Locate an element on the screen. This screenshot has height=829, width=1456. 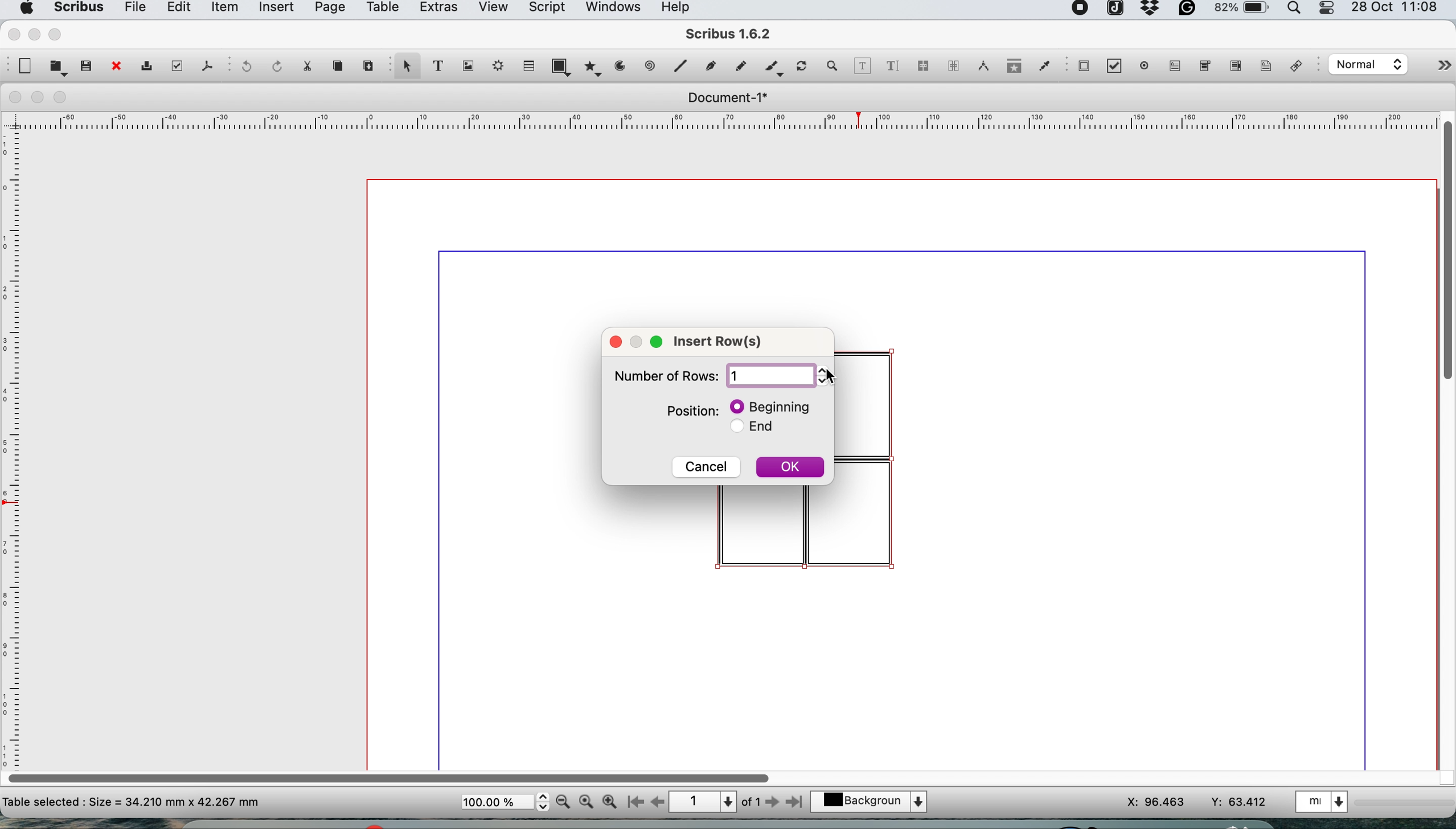
pdf radio button is located at coordinates (1145, 65).